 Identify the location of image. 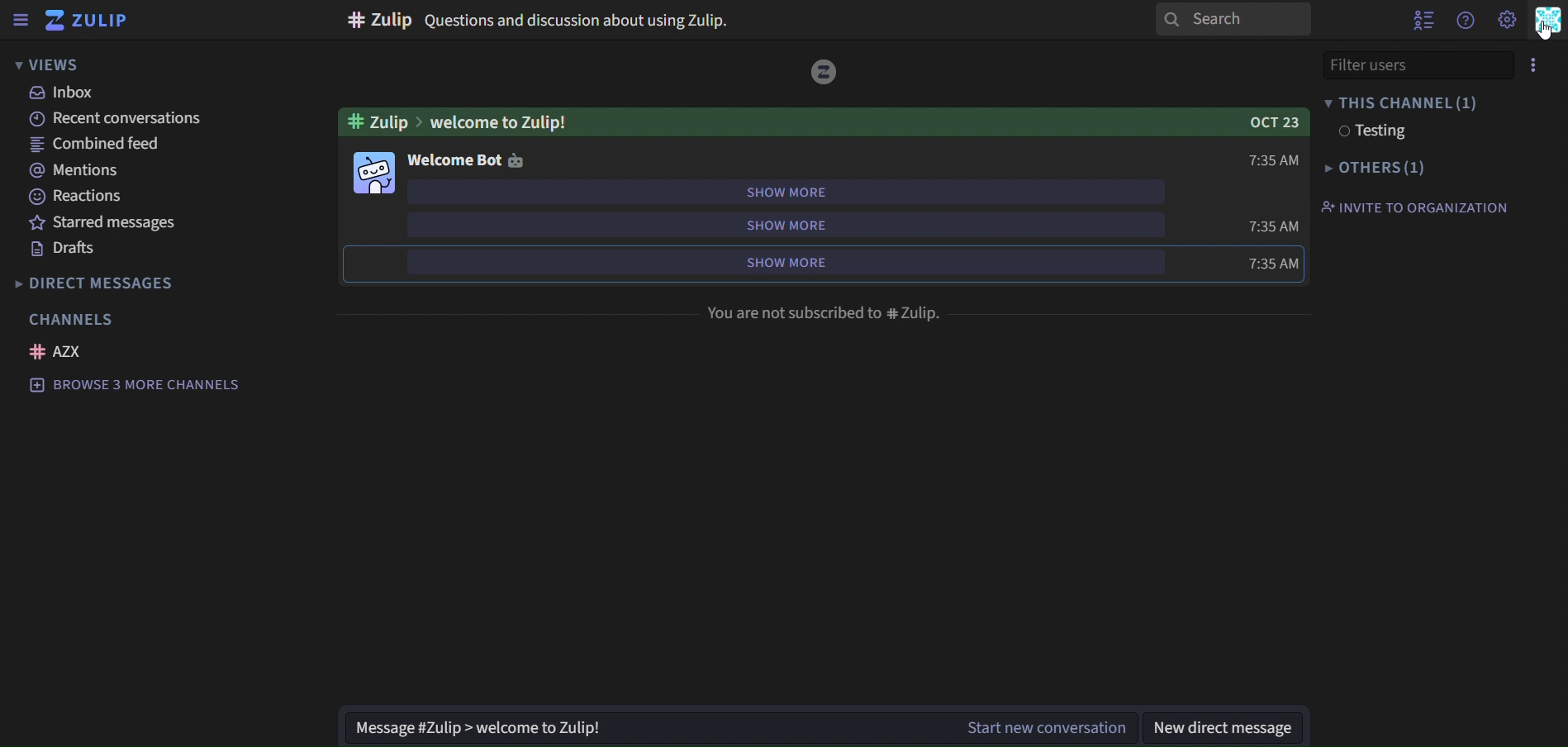
(824, 72).